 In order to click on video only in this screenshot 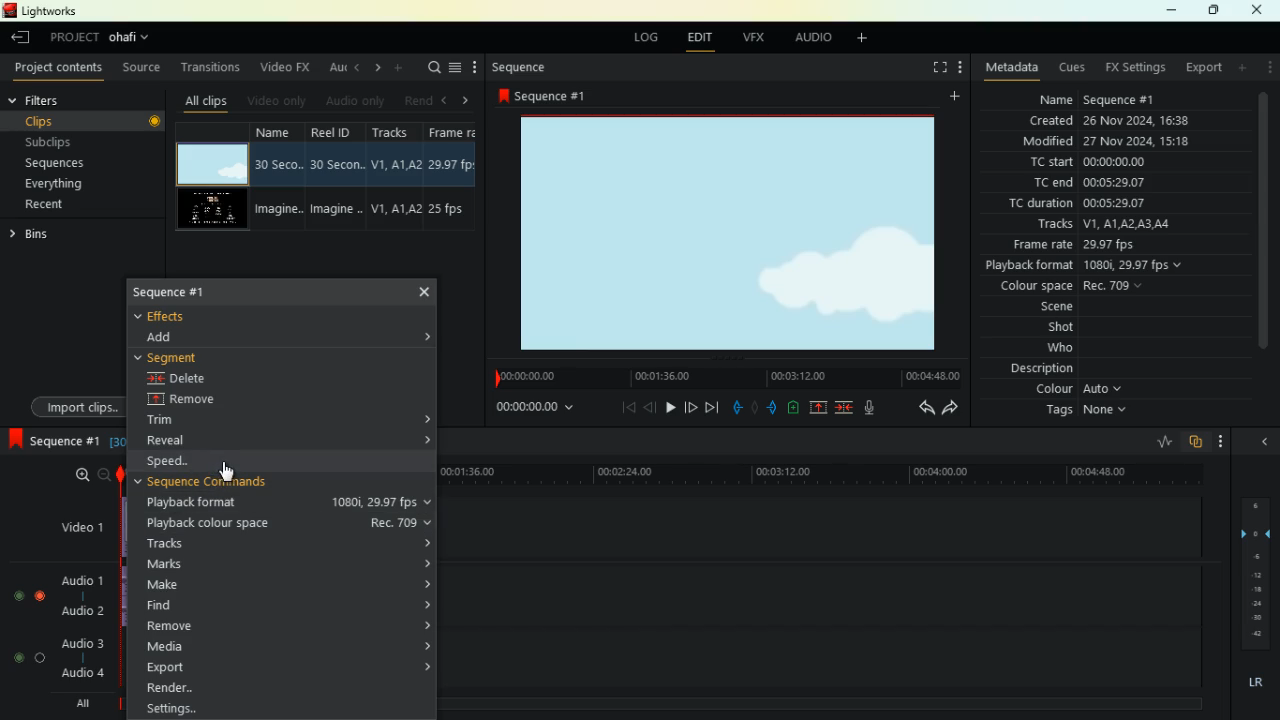, I will do `click(279, 101)`.